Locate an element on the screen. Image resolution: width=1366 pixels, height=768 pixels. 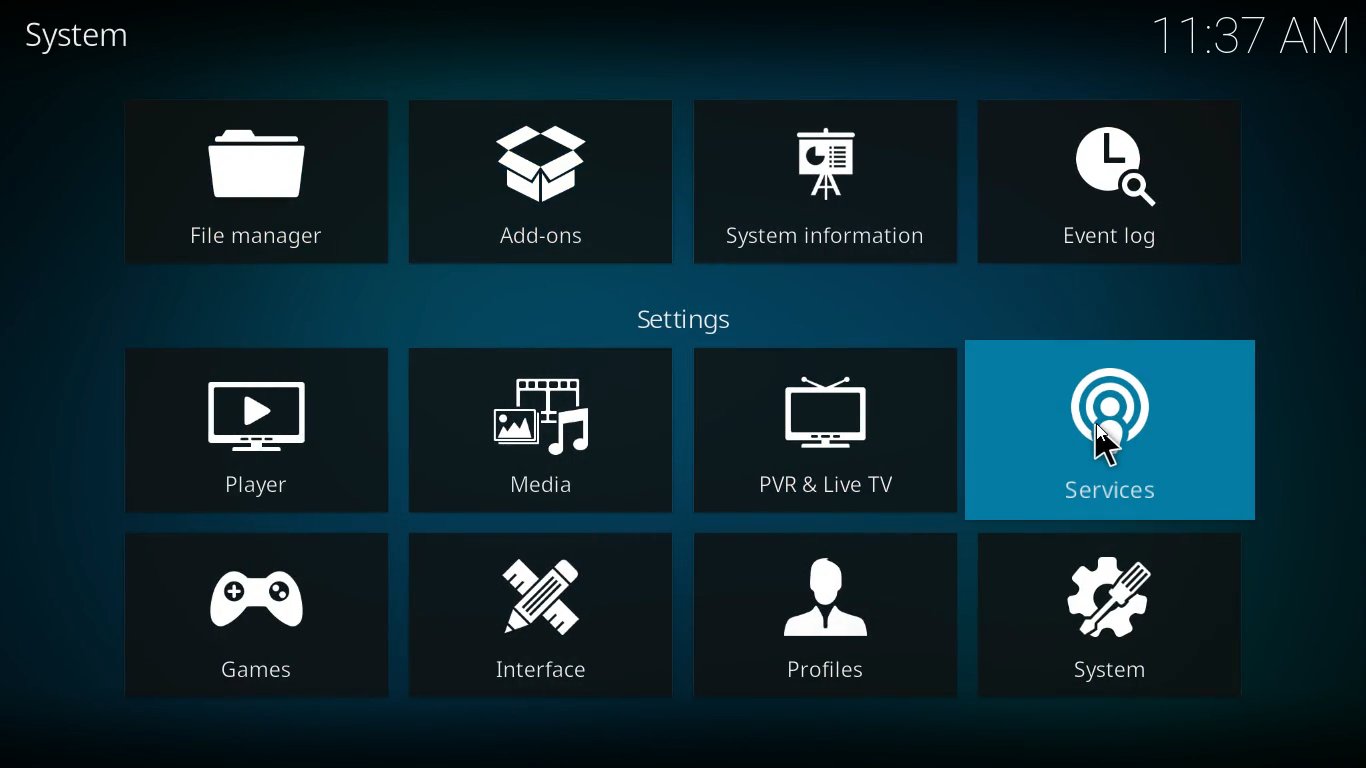
system is located at coordinates (94, 36).